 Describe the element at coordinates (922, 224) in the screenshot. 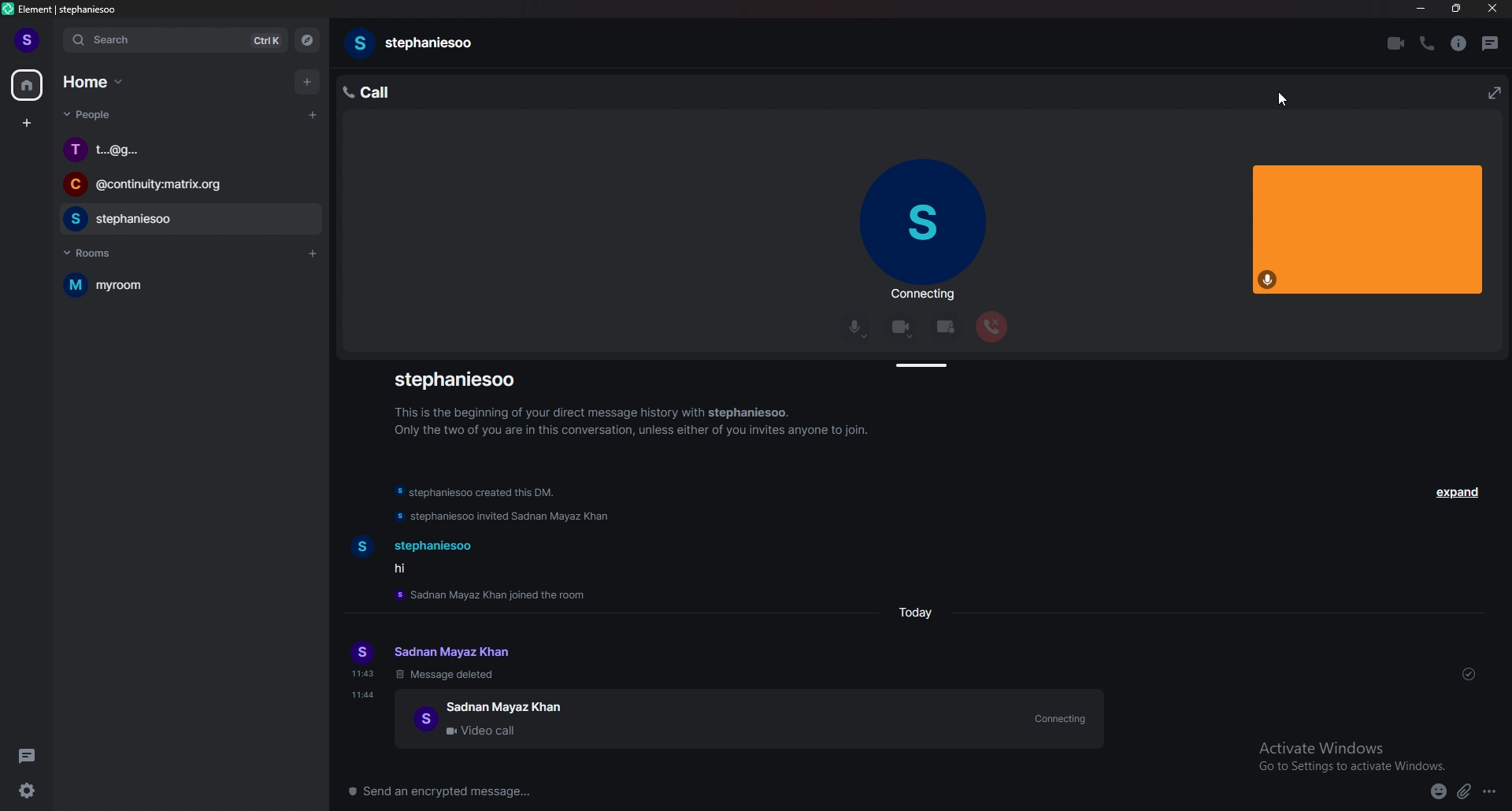

I see `user photo` at that location.